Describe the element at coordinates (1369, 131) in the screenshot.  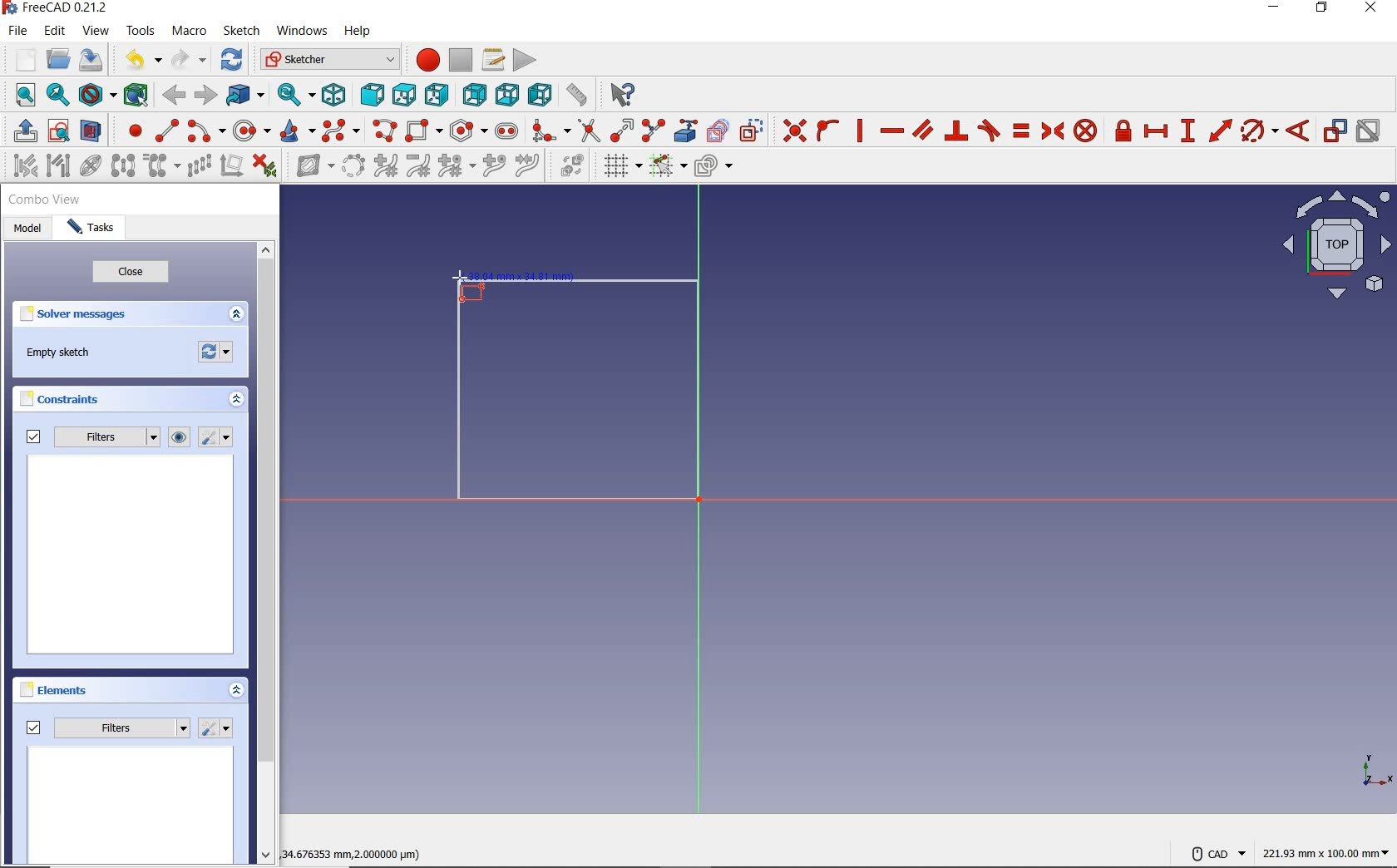
I see `activate or deactivate constraint` at that location.